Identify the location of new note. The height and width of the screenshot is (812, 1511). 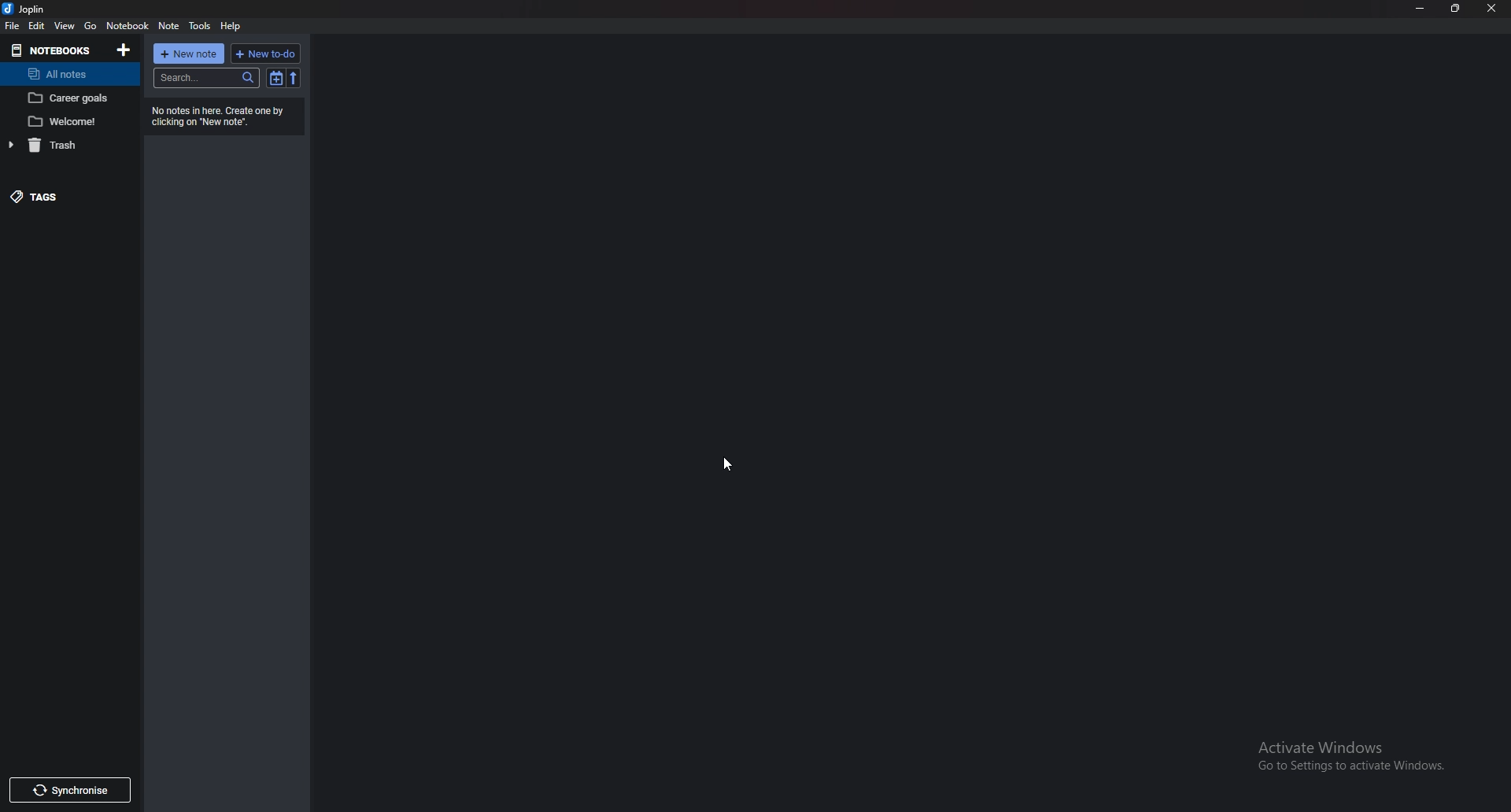
(190, 53).